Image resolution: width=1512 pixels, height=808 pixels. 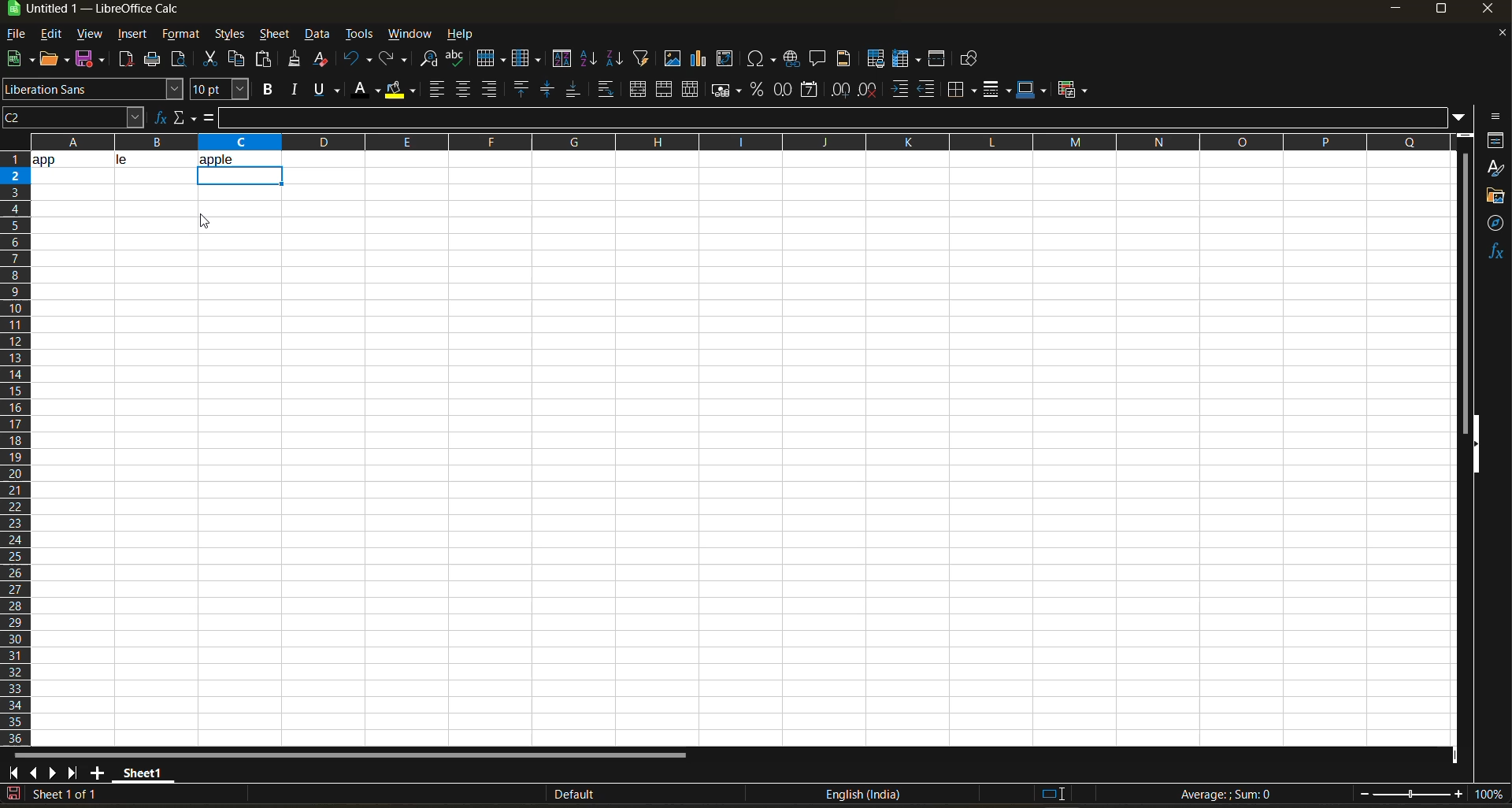 I want to click on conditional, so click(x=1075, y=89).